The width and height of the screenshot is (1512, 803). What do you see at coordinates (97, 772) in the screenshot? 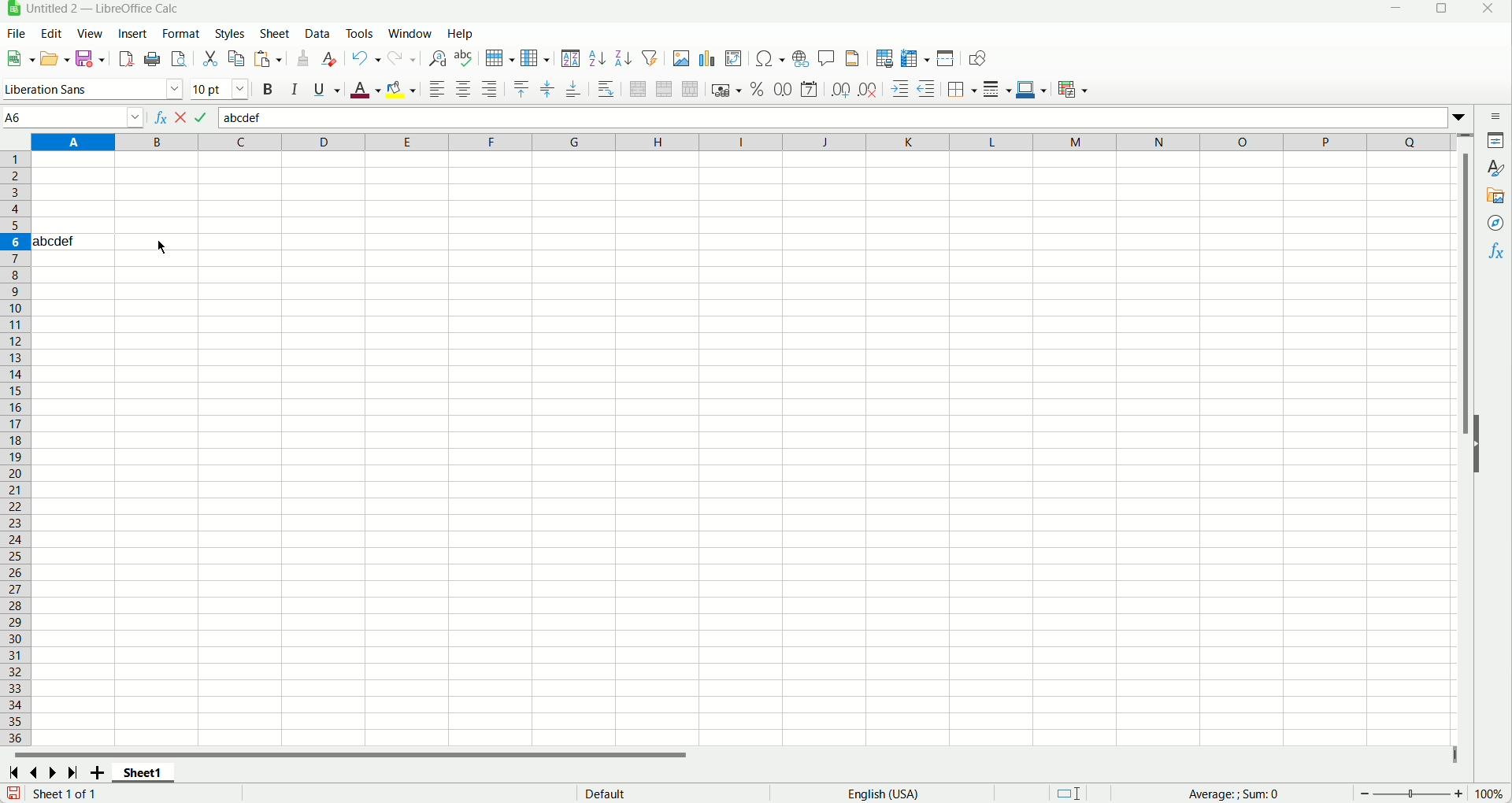
I see `add new sheet` at bounding box center [97, 772].